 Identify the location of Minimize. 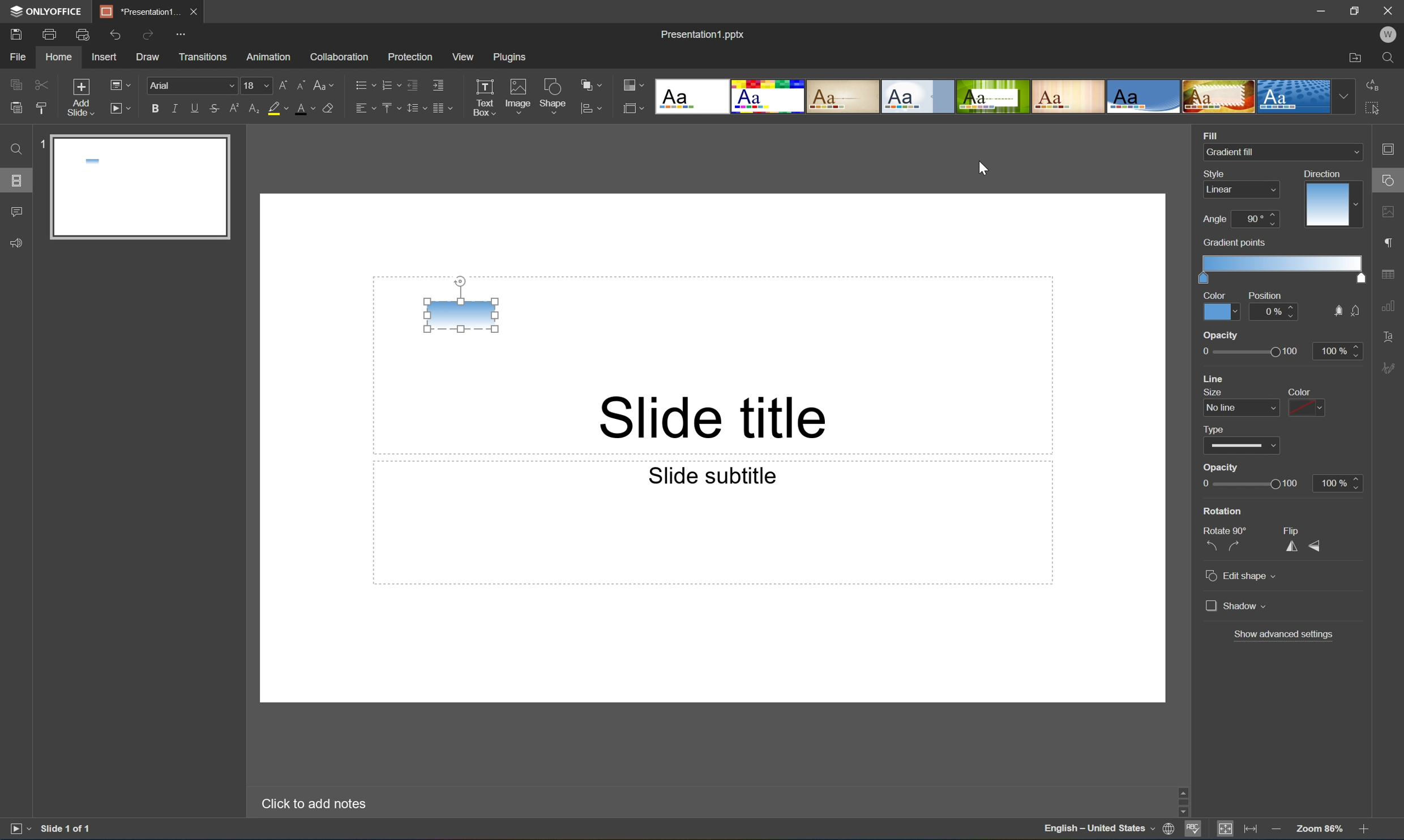
(1325, 11).